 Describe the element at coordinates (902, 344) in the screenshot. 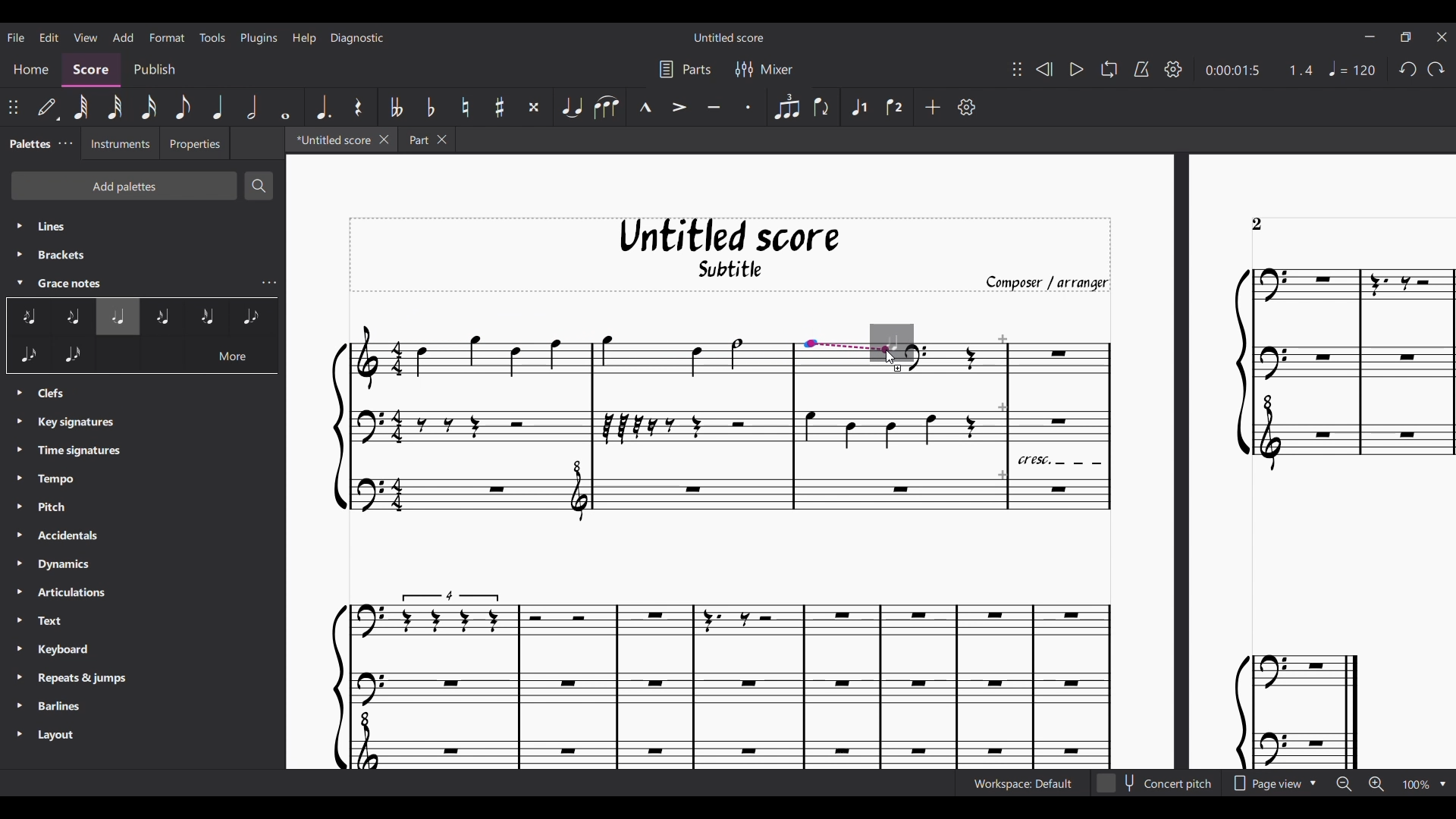

I see `Indicates selected grace note` at that location.